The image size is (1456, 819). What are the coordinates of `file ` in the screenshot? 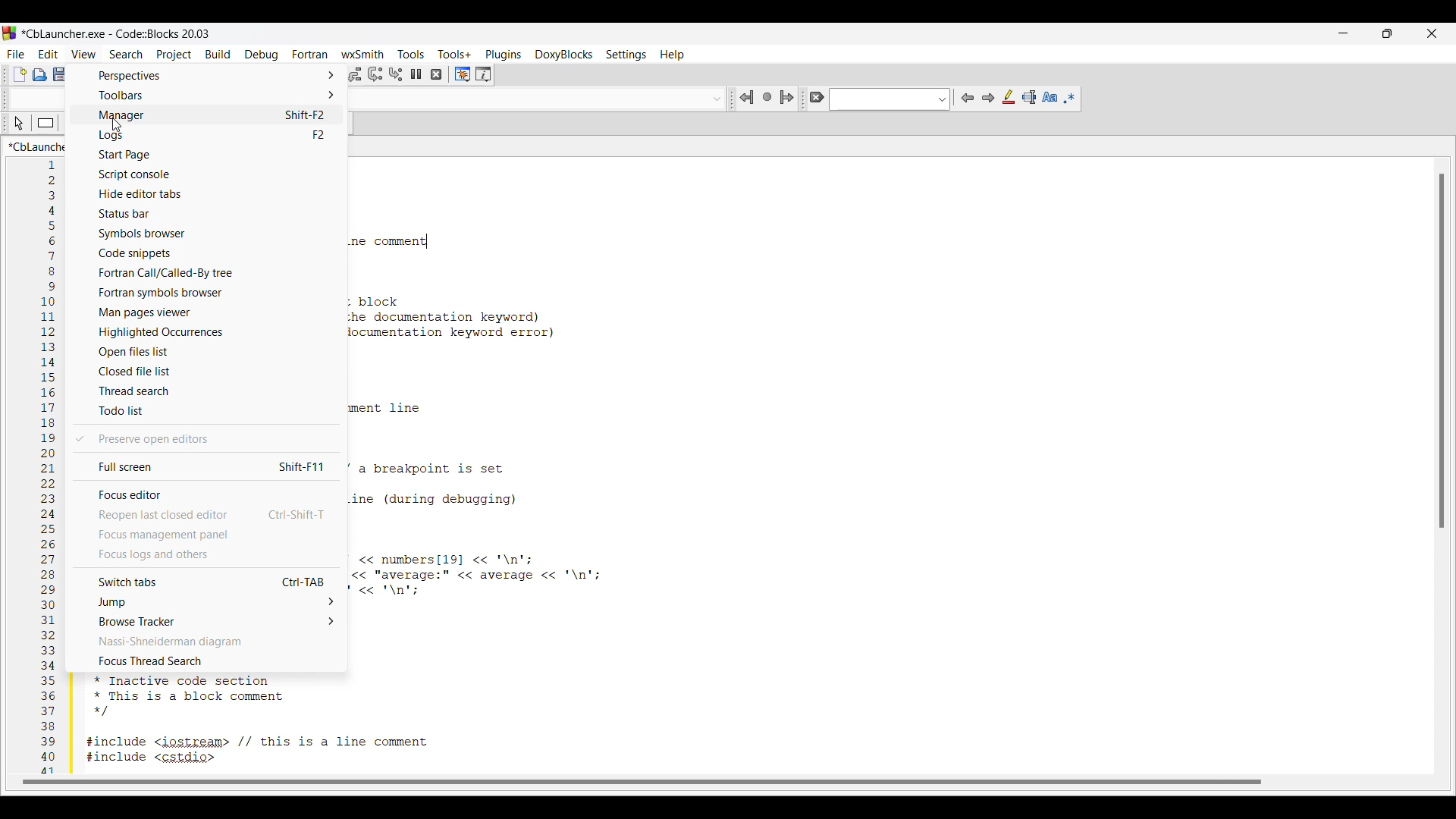 It's located at (20, 73).